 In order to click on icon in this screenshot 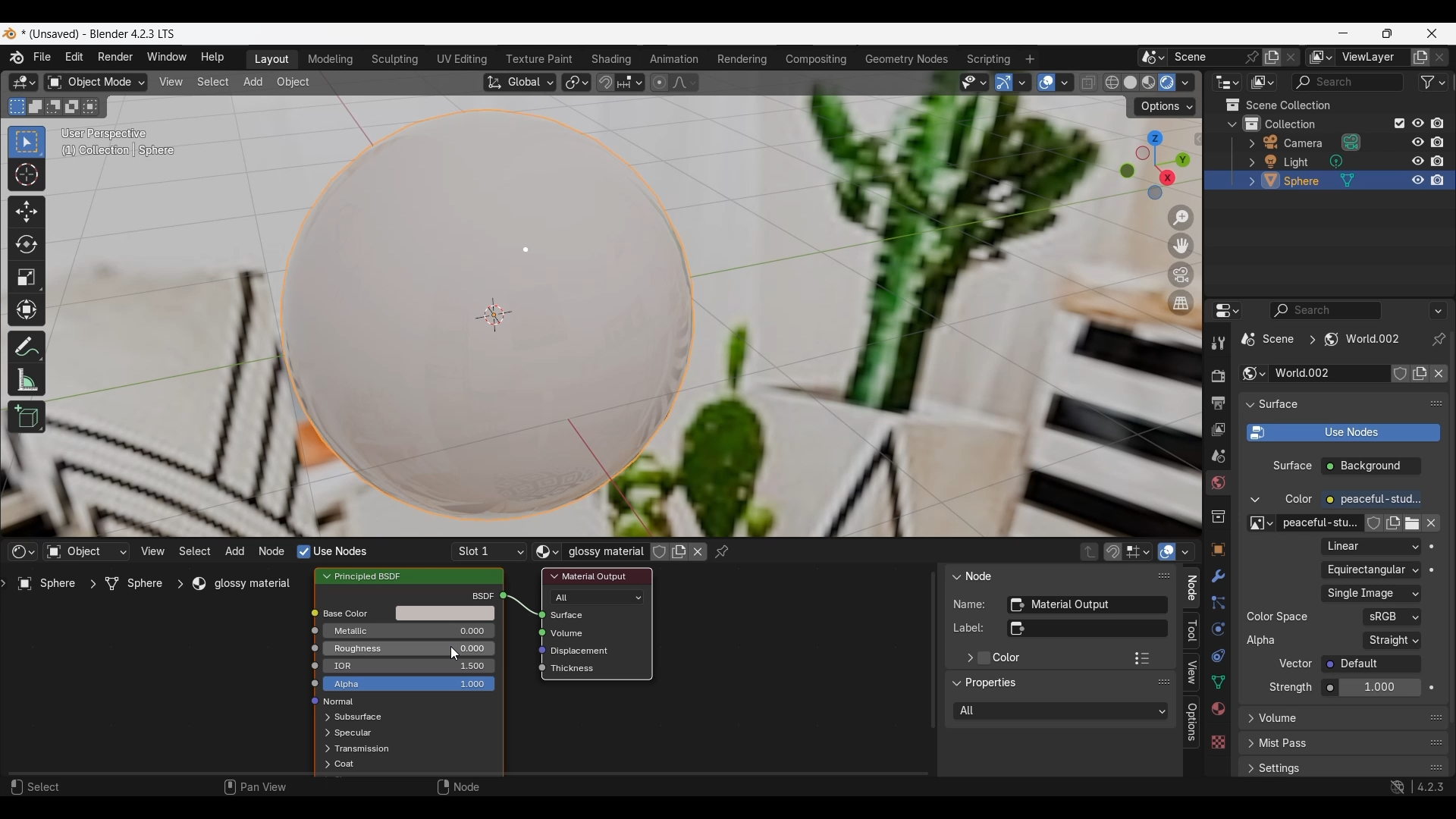, I will do `click(310, 703)`.